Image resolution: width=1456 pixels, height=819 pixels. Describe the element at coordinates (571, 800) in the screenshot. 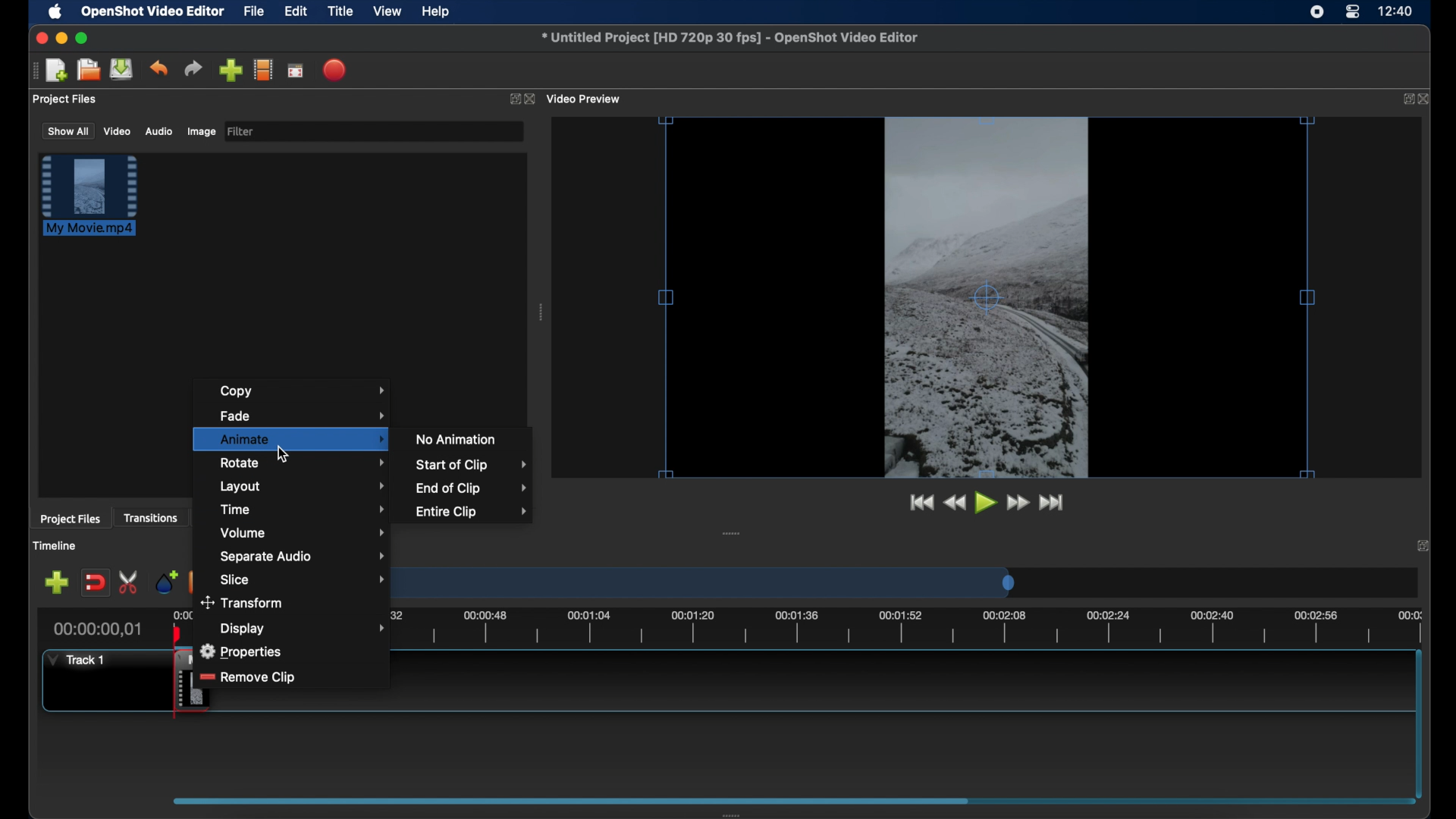

I see `scroll box` at that location.